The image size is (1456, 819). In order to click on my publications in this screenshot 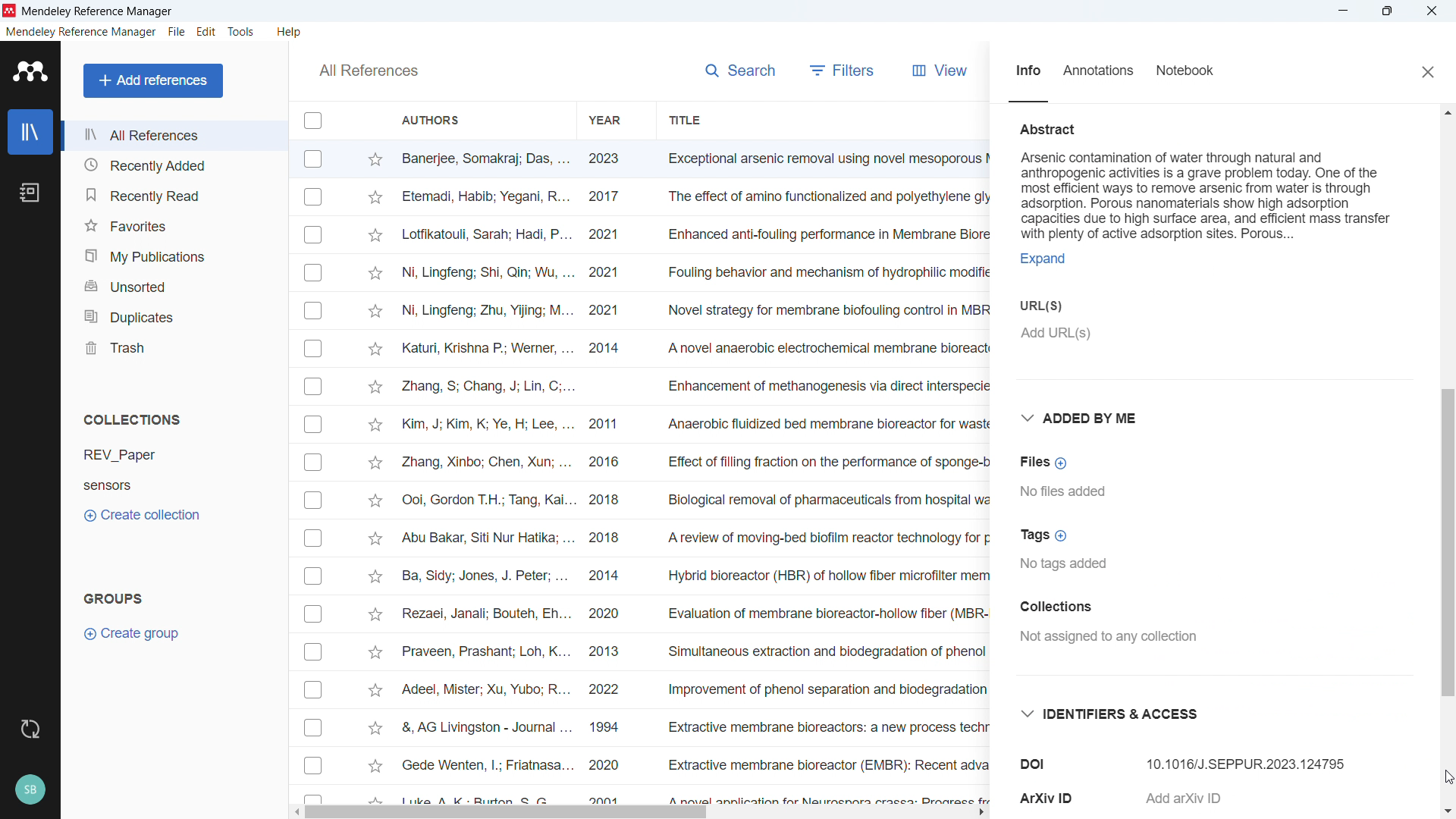, I will do `click(174, 253)`.